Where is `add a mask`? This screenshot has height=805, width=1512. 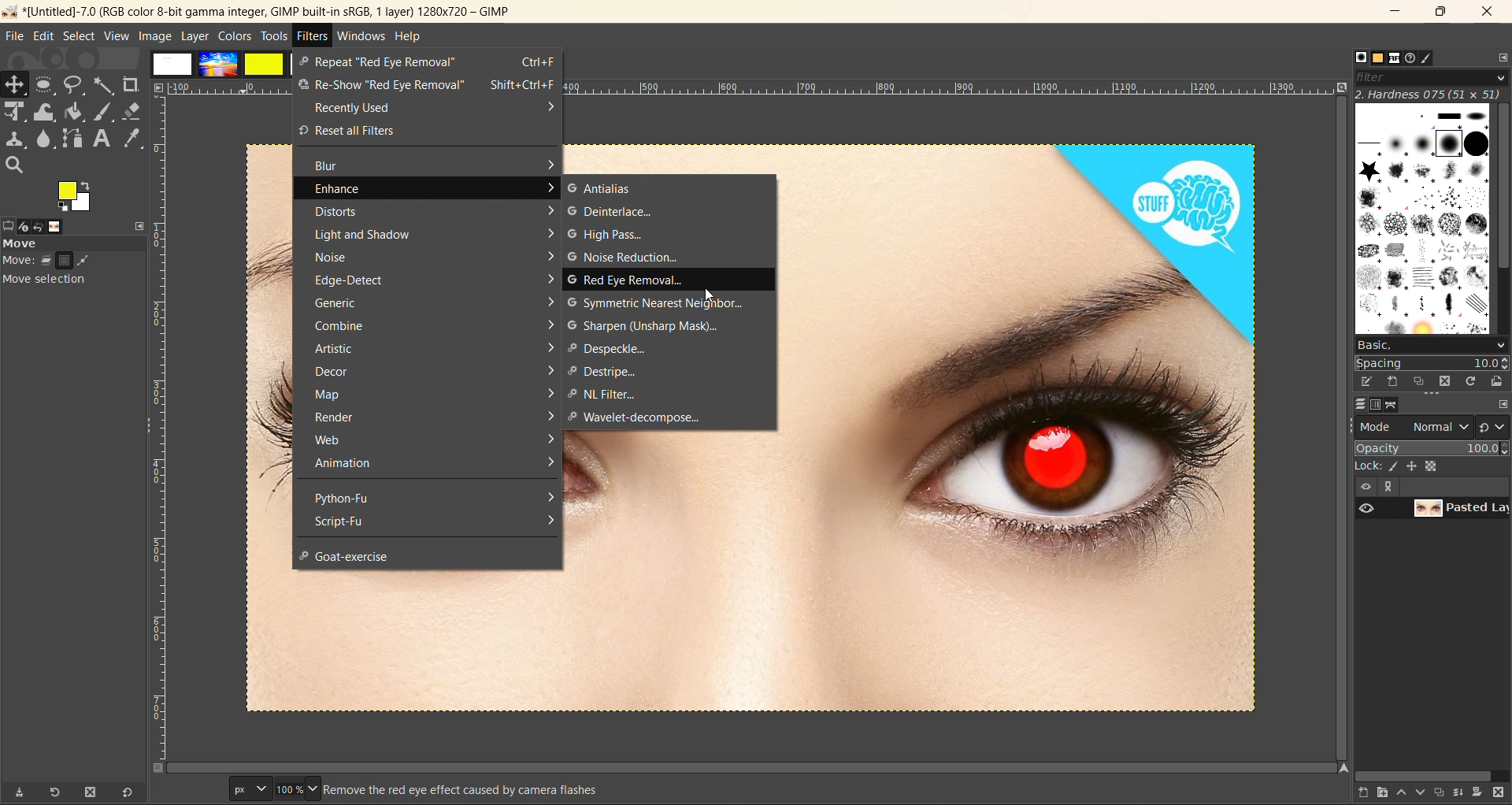
add a mask is located at coordinates (1482, 795).